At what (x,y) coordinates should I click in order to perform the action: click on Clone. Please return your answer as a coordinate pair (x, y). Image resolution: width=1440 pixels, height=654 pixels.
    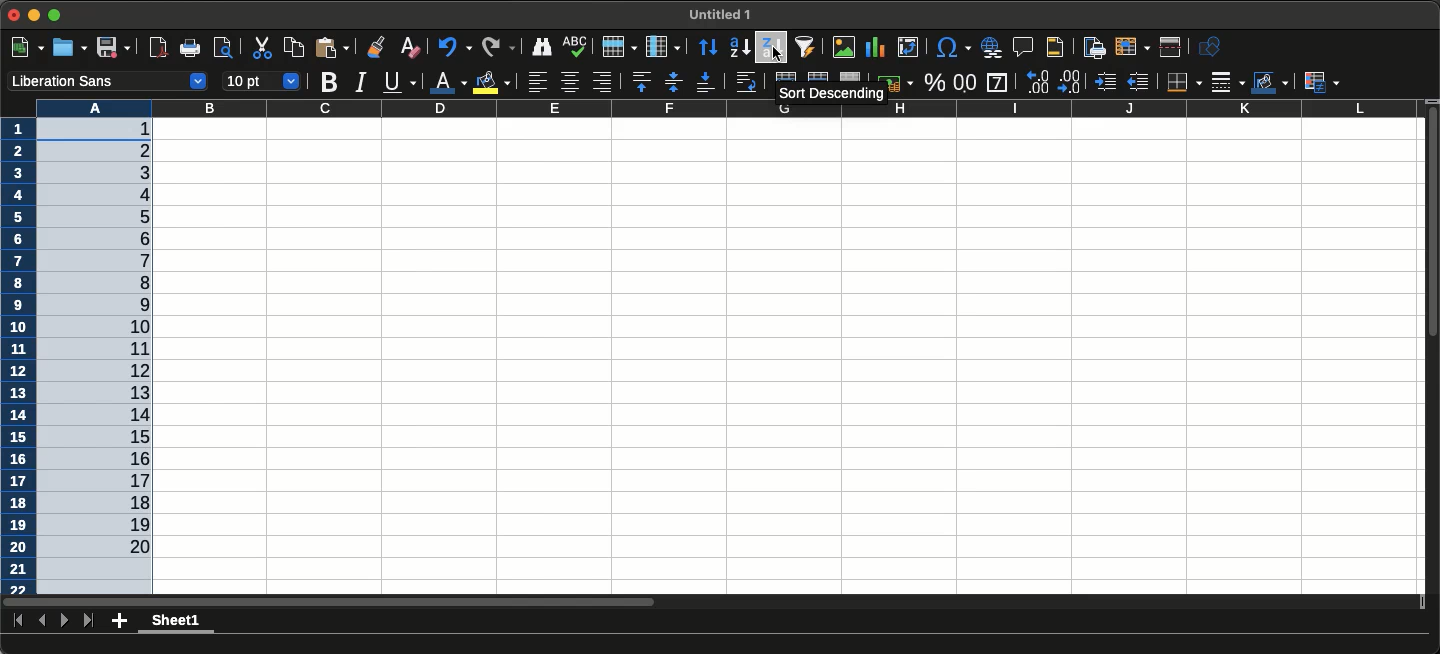
    Looking at the image, I should click on (375, 46).